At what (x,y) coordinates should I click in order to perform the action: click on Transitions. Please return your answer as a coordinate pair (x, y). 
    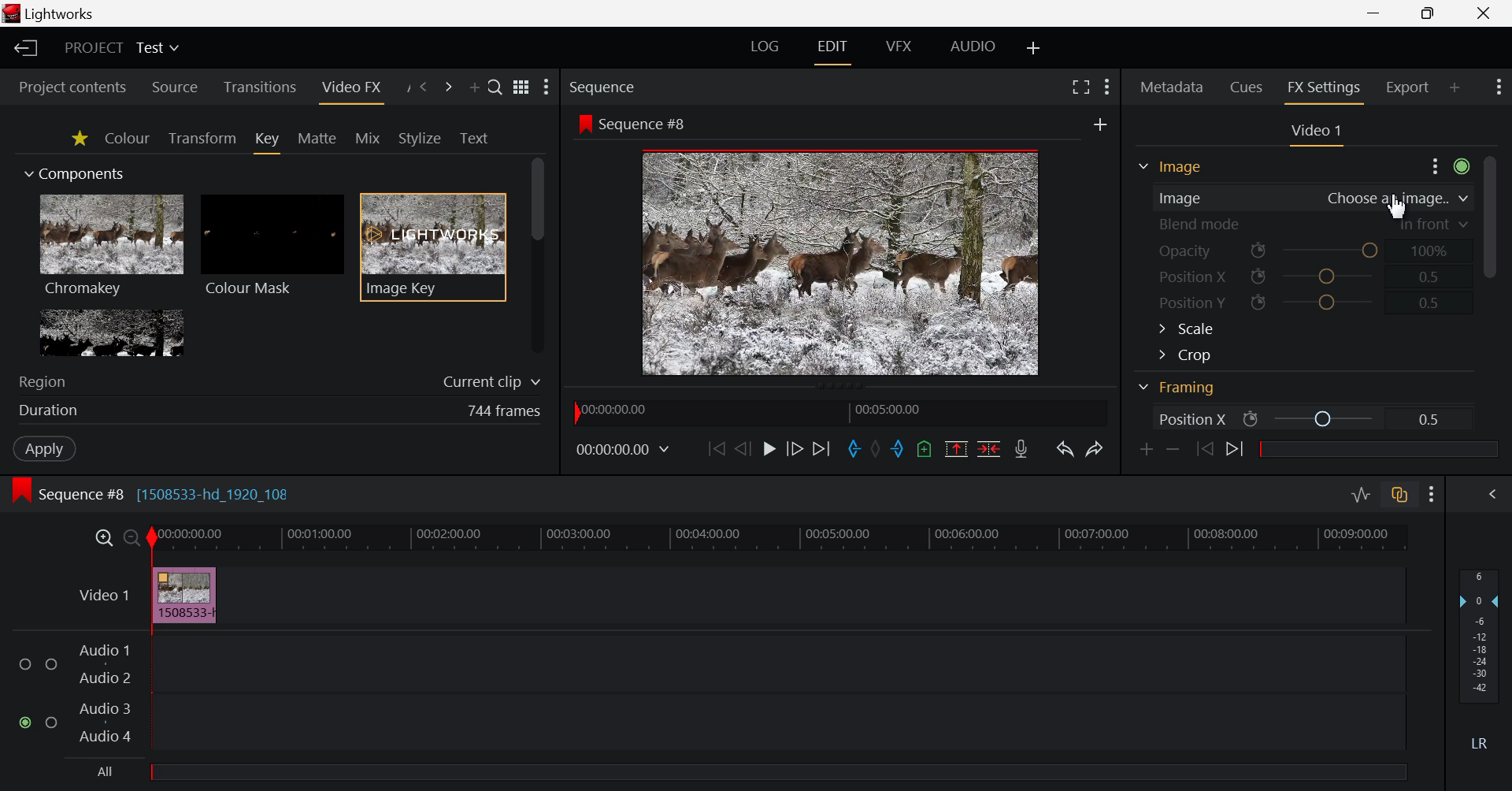
    Looking at the image, I should click on (263, 85).